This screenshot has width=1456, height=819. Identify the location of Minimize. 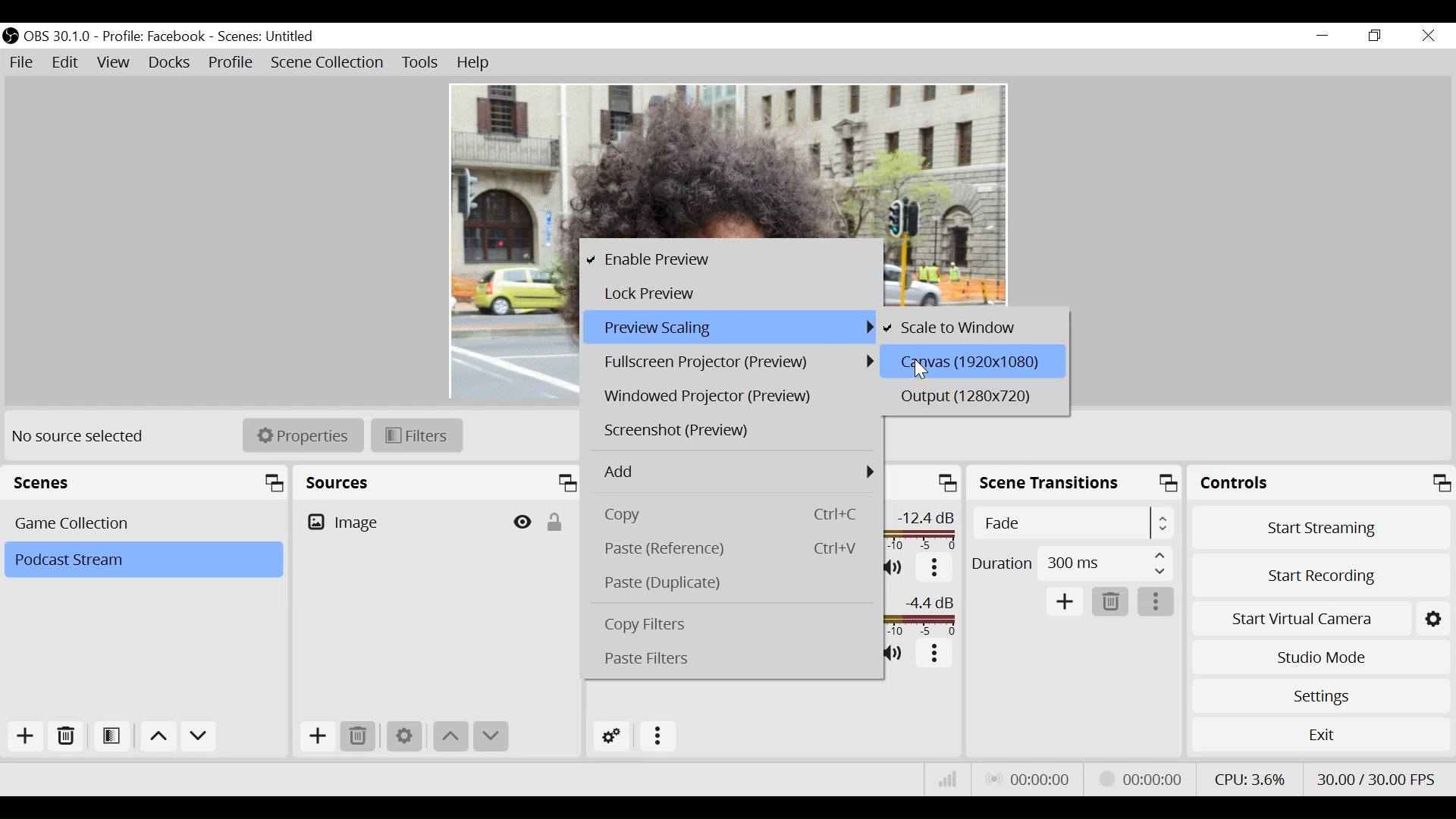
(1325, 36).